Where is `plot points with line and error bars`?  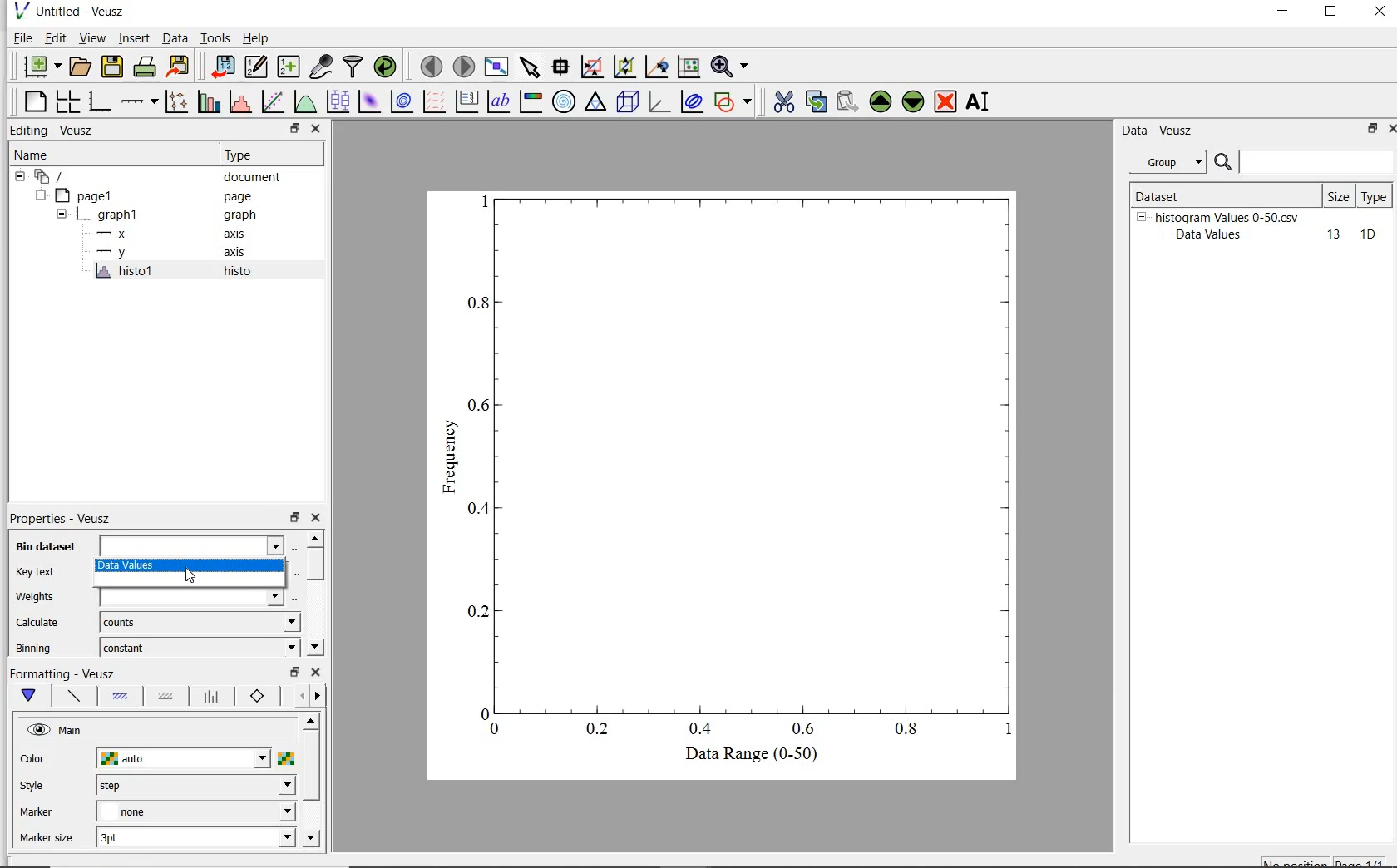
plot points with line and error bars is located at coordinates (177, 101).